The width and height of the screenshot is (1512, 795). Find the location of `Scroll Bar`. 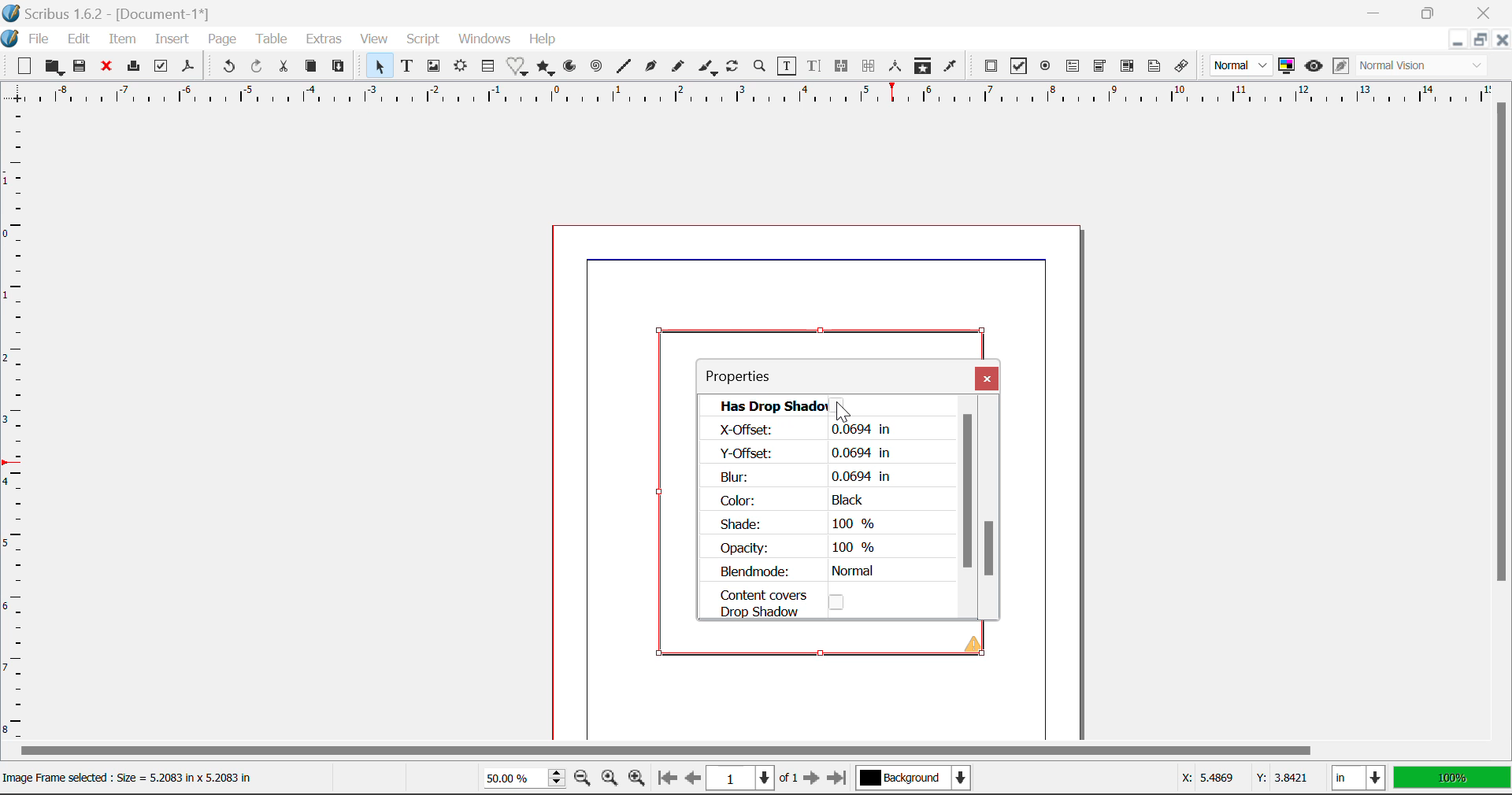

Scroll Bar is located at coordinates (992, 514).